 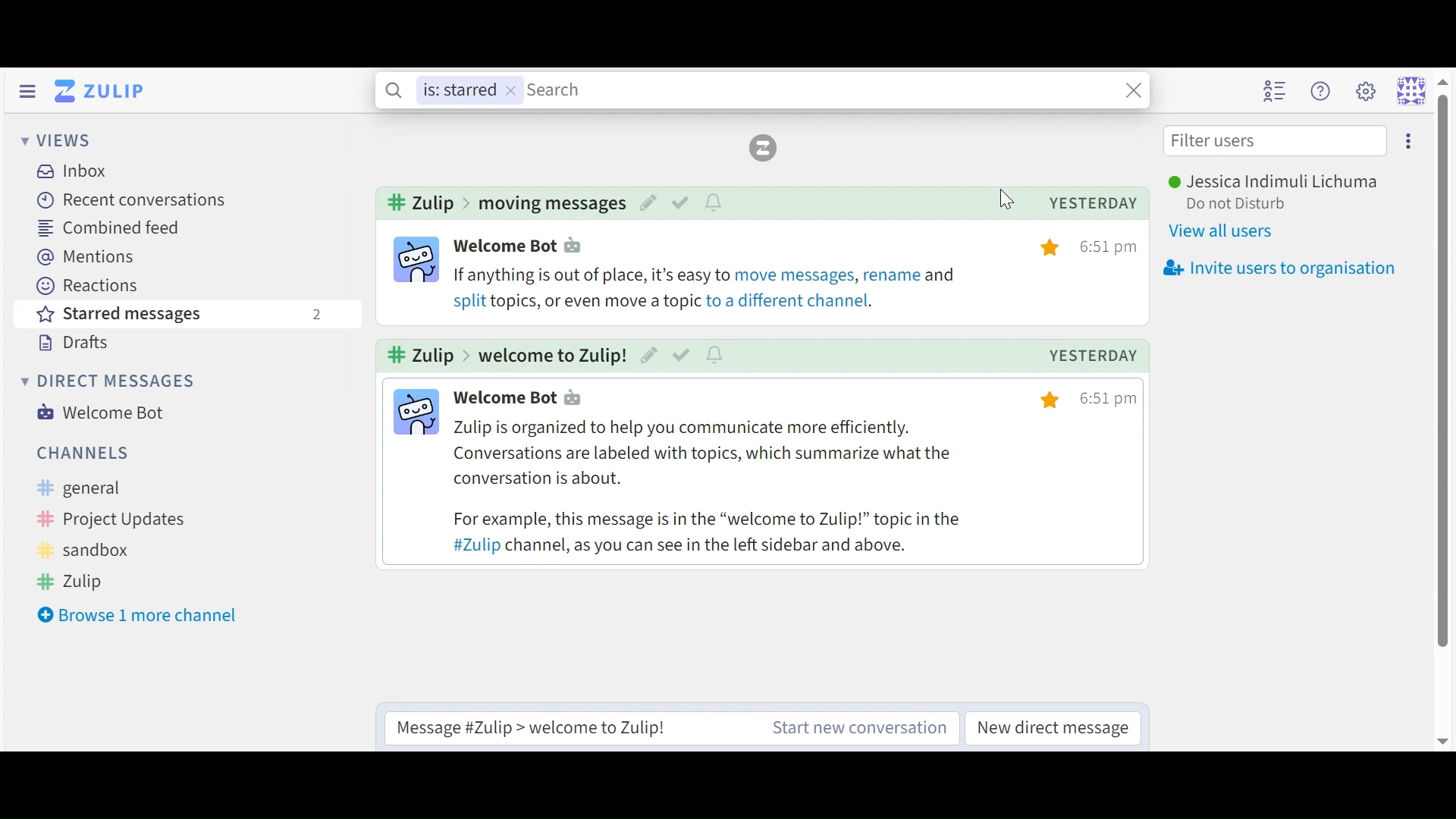 What do you see at coordinates (714, 202) in the screenshot?
I see `notify` at bounding box center [714, 202].